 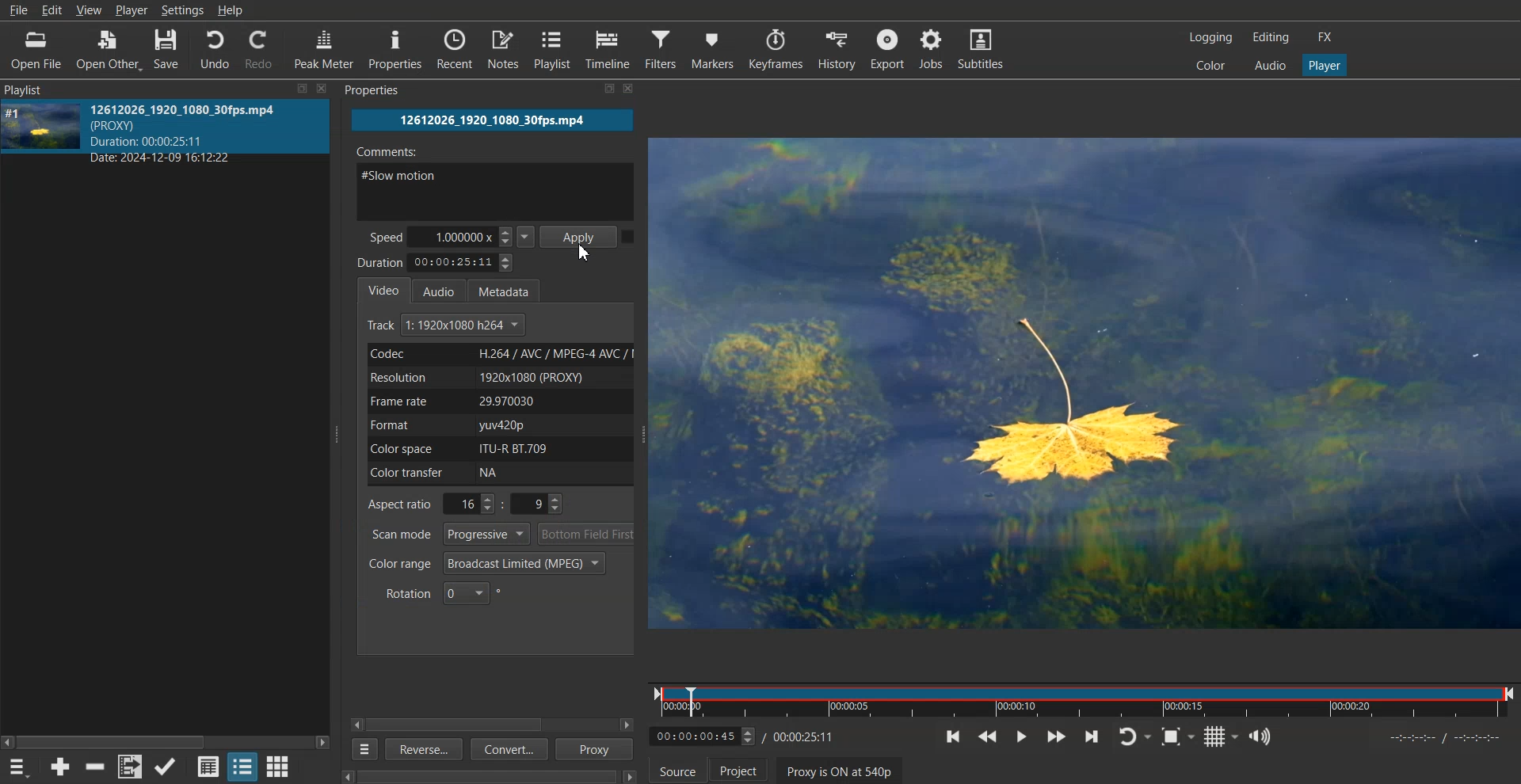 What do you see at coordinates (1443, 738) in the screenshot?
I see `timeline` at bounding box center [1443, 738].